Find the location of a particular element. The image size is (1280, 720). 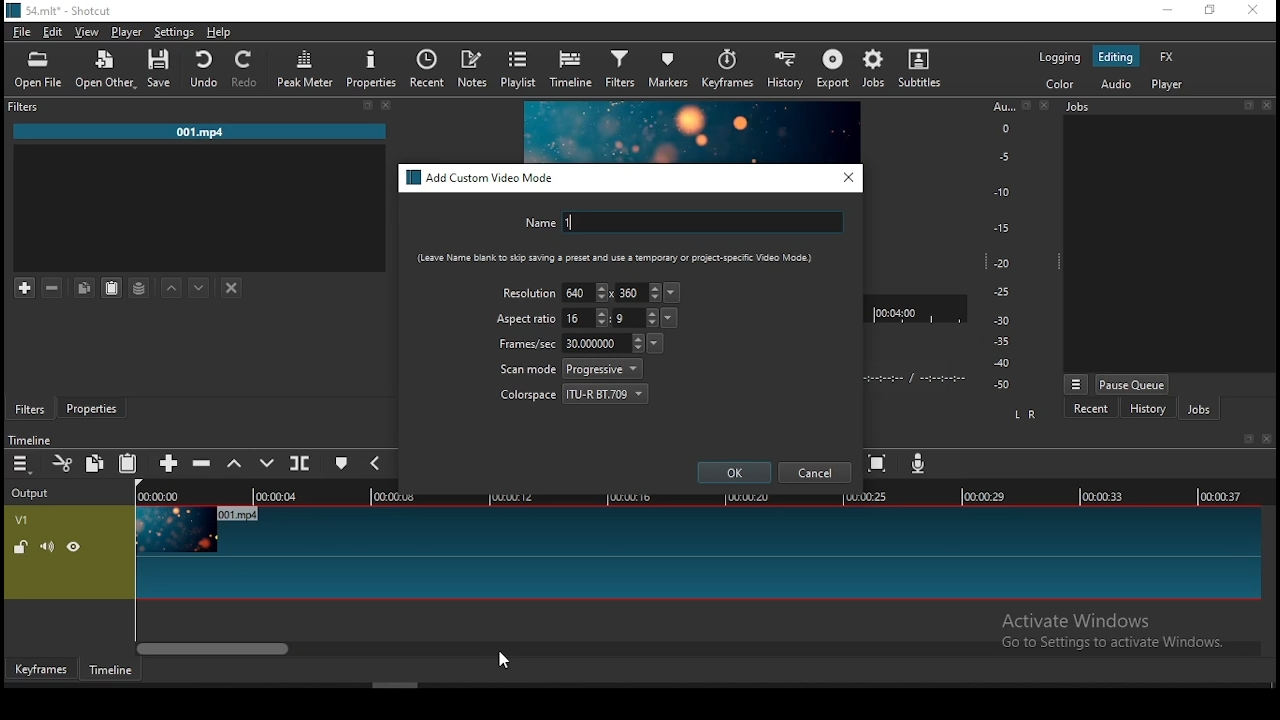

00:00:04 is located at coordinates (279, 496).